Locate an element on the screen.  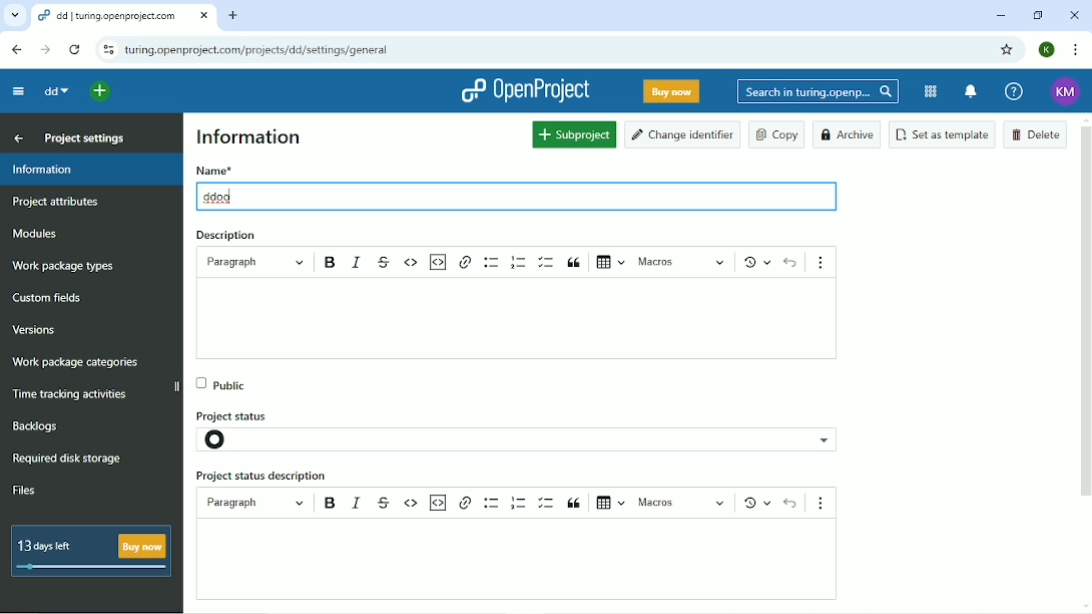
dd is located at coordinates (55, 91).